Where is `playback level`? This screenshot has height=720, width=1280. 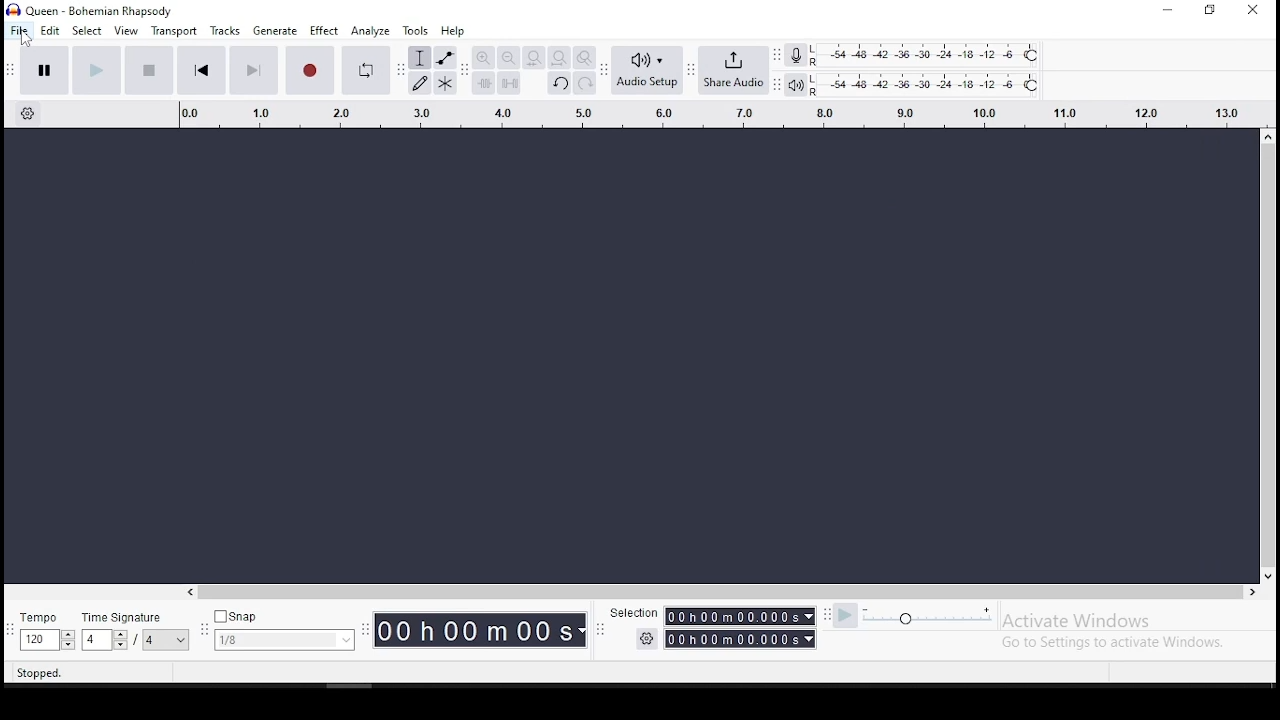 playback level is located at coordinates (927, 85).